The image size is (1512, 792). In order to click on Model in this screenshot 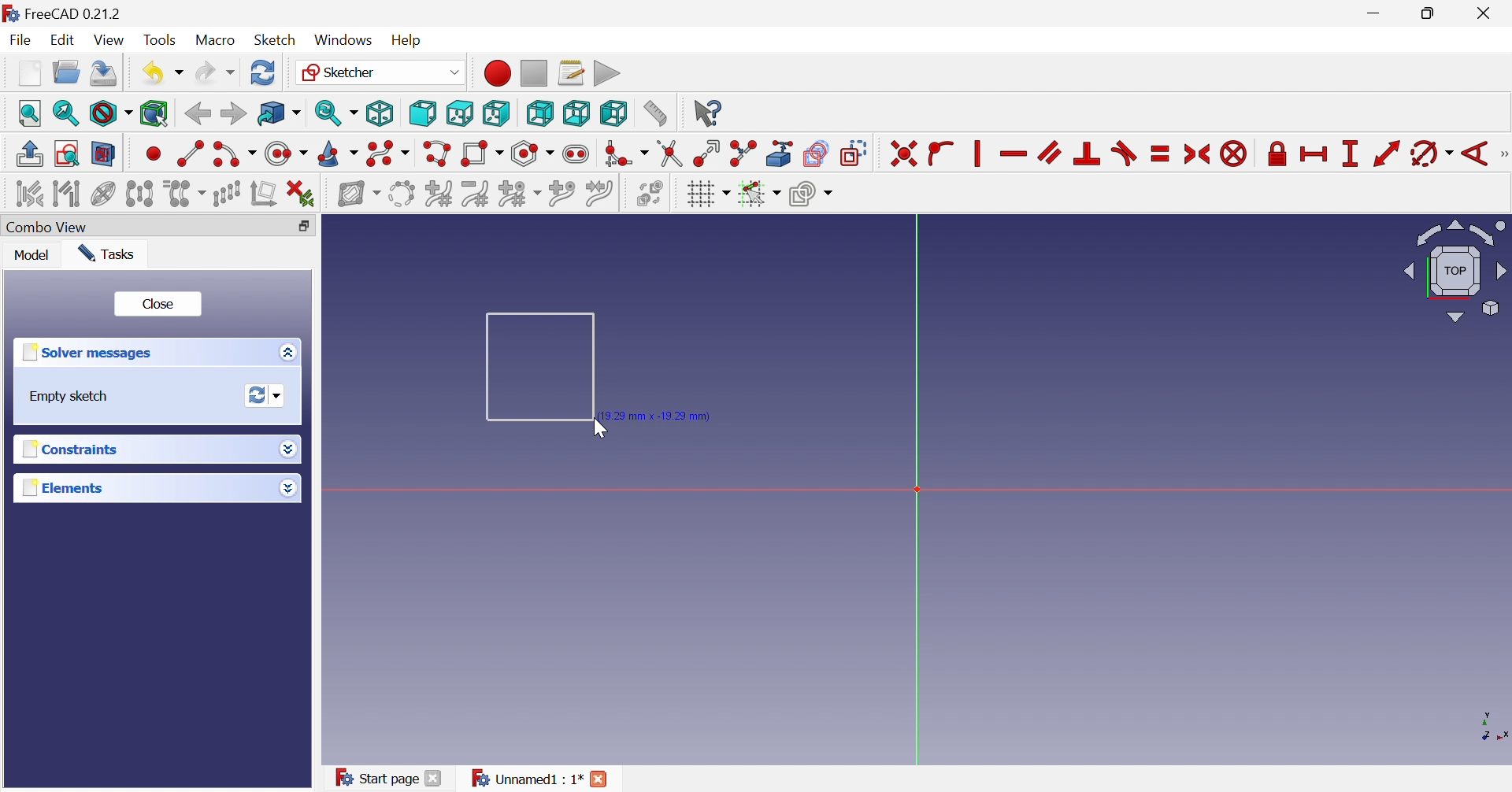, I will do `click(32, 257)`.